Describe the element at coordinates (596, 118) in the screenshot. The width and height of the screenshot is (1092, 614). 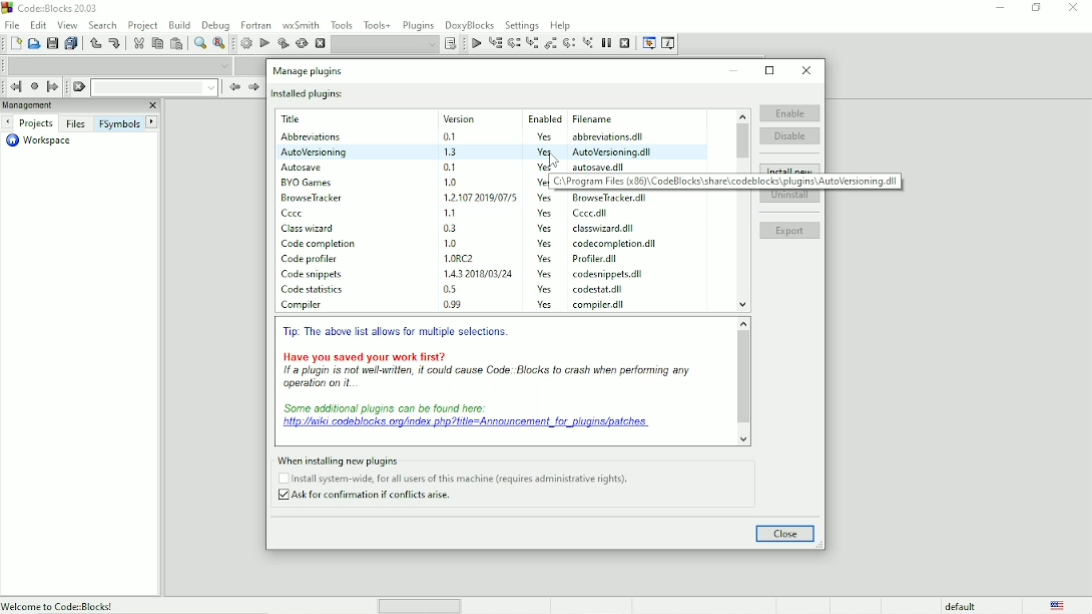
I see `Filename` at that location.